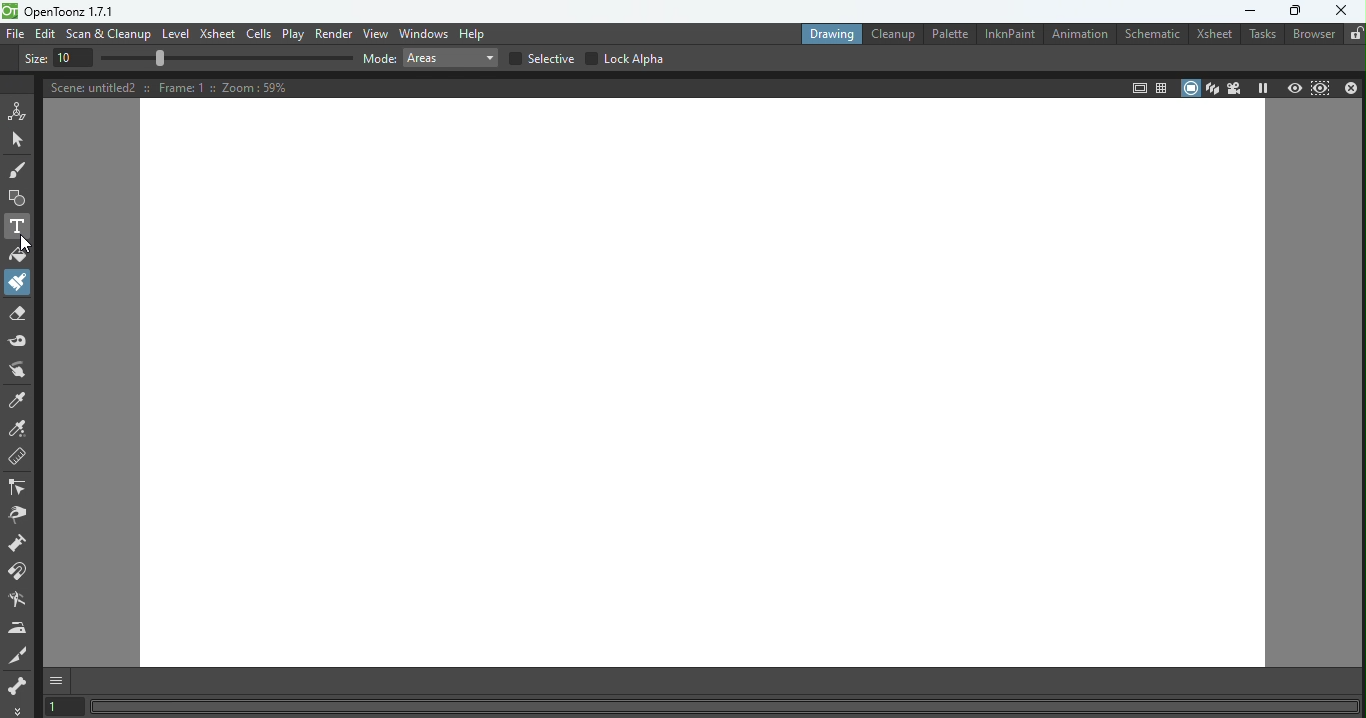 Image resolution: width=1366 pixels, height=718 pixels. I want to click on Scan & Cleanup, so click(109, 33).